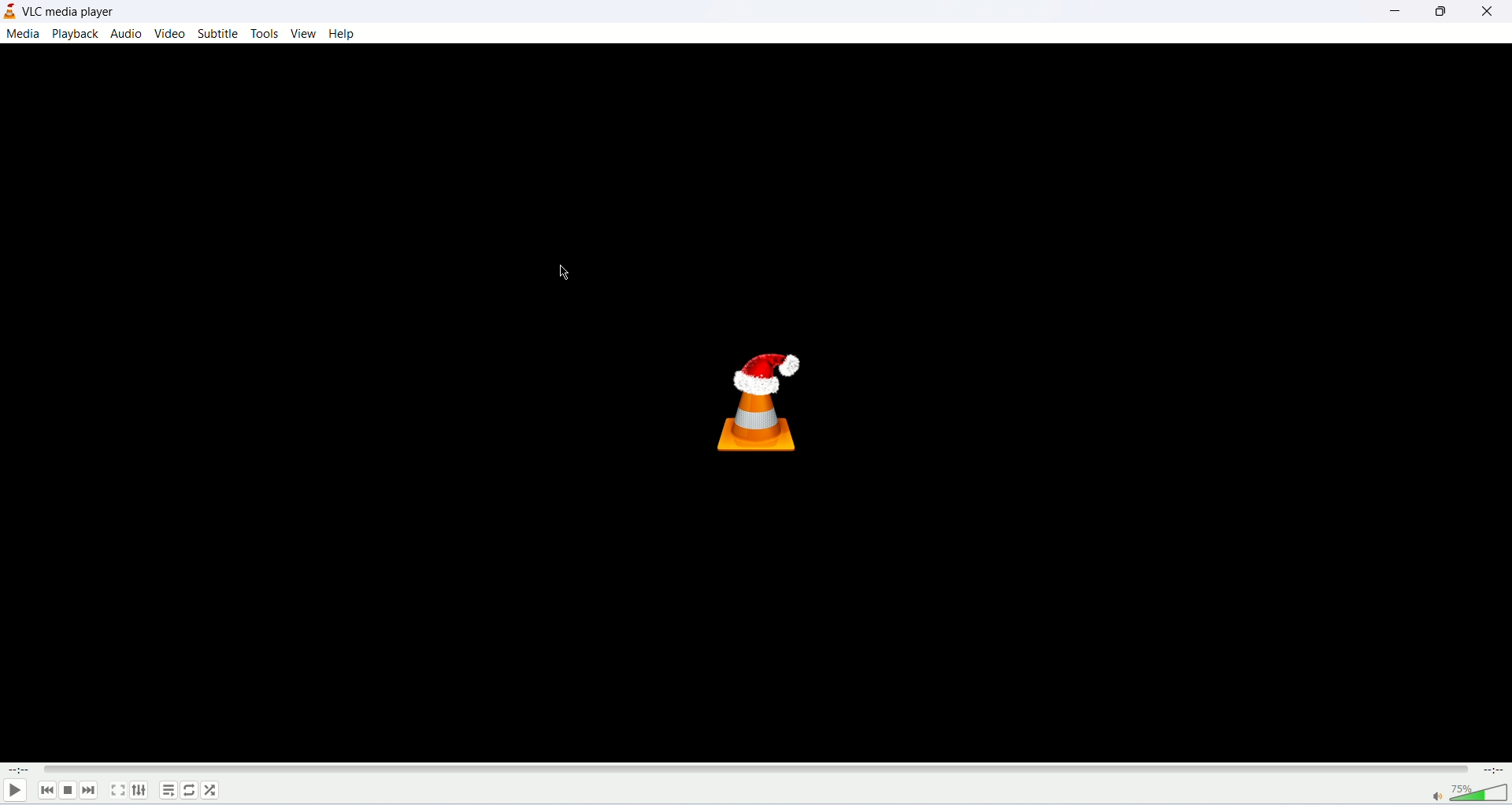  I want to click on maximize, so click(1443, 15).